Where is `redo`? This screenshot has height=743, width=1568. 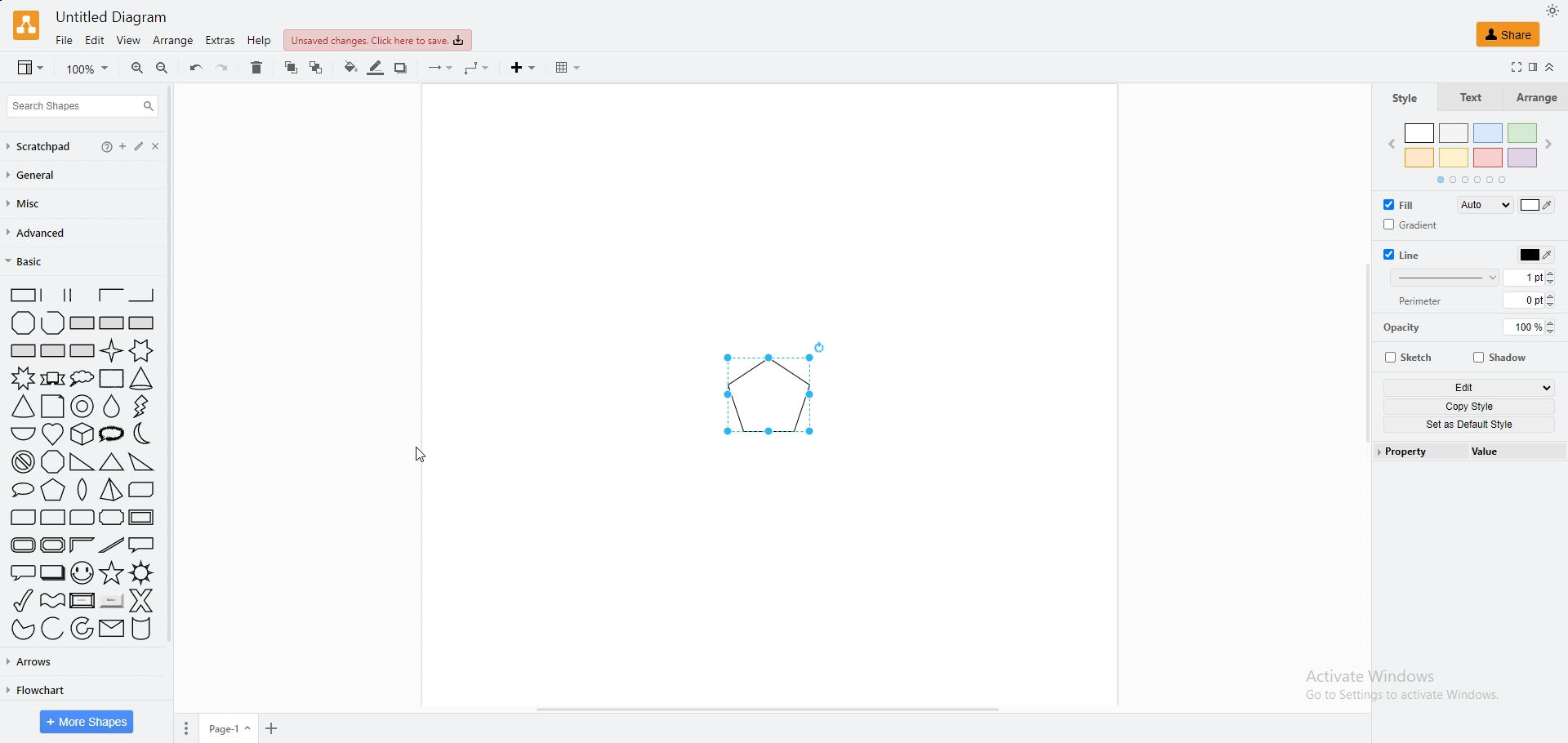
redo is located at coordinates (223, 68).